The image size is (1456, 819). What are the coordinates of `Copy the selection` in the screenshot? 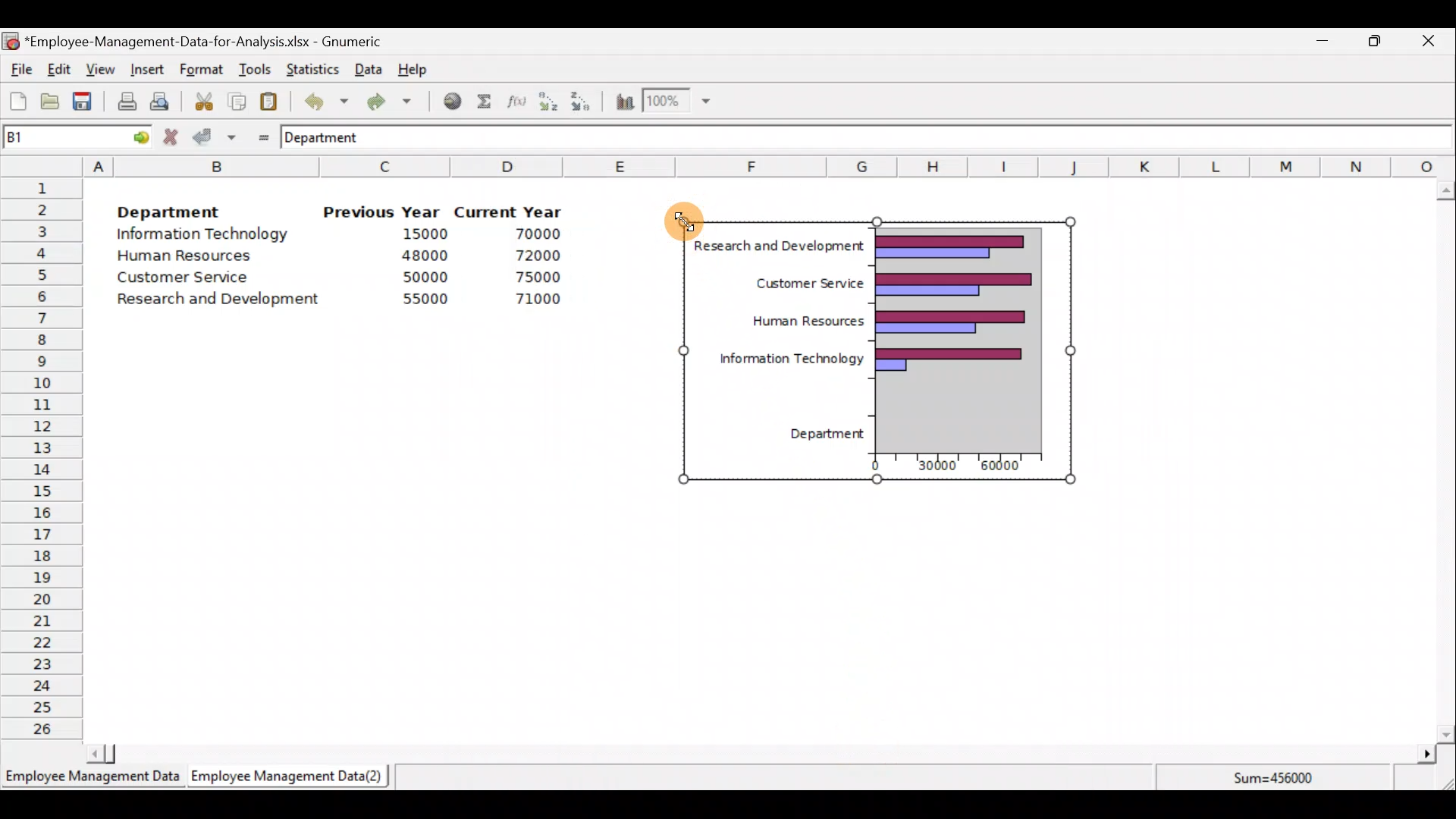 It's located at (236, 99).